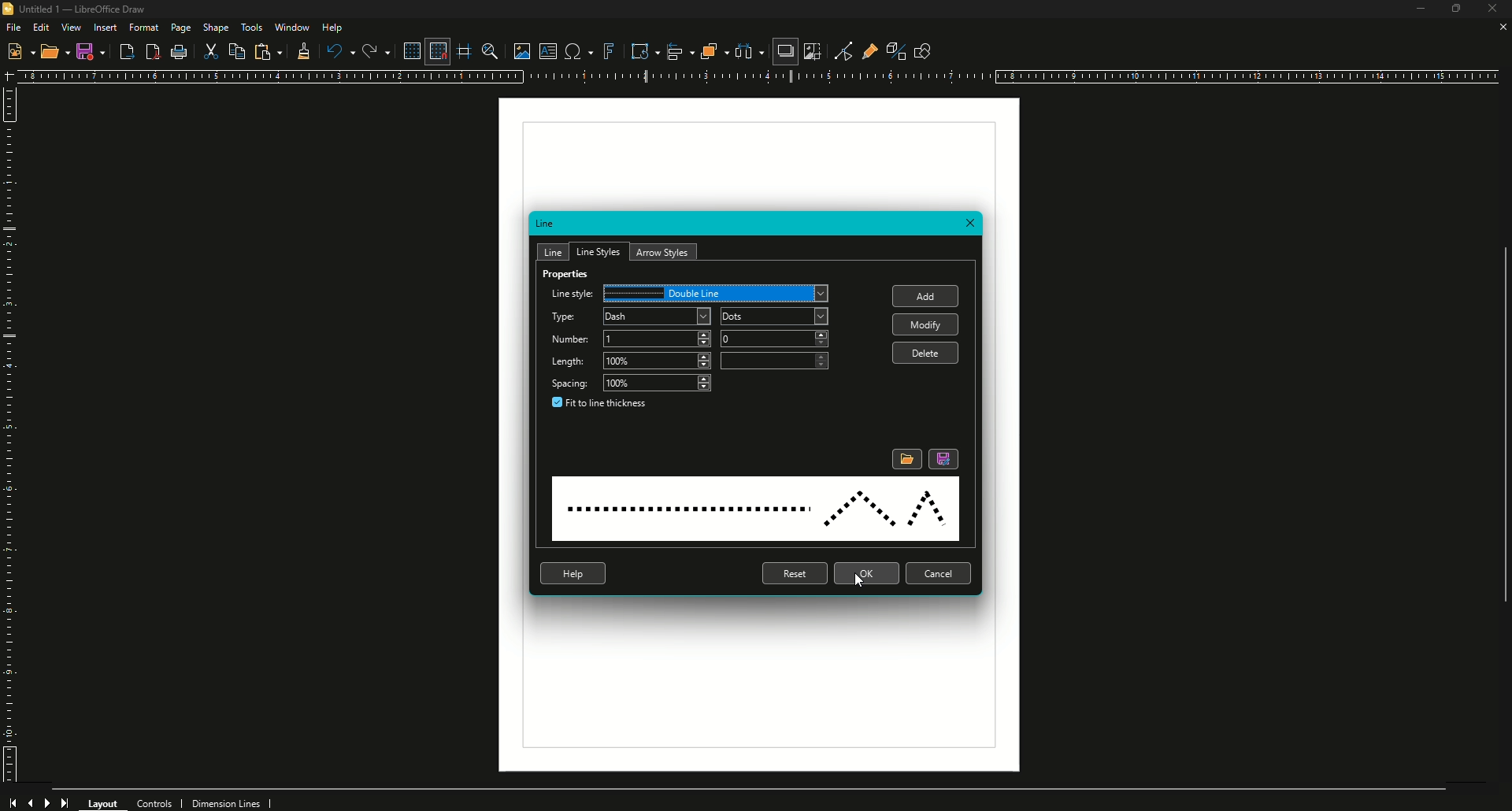 The image size is (1512, 811). What do you see at coordinates (268, 52) in the screenshot?
I see `Paste` at bounding box center [268, 52].